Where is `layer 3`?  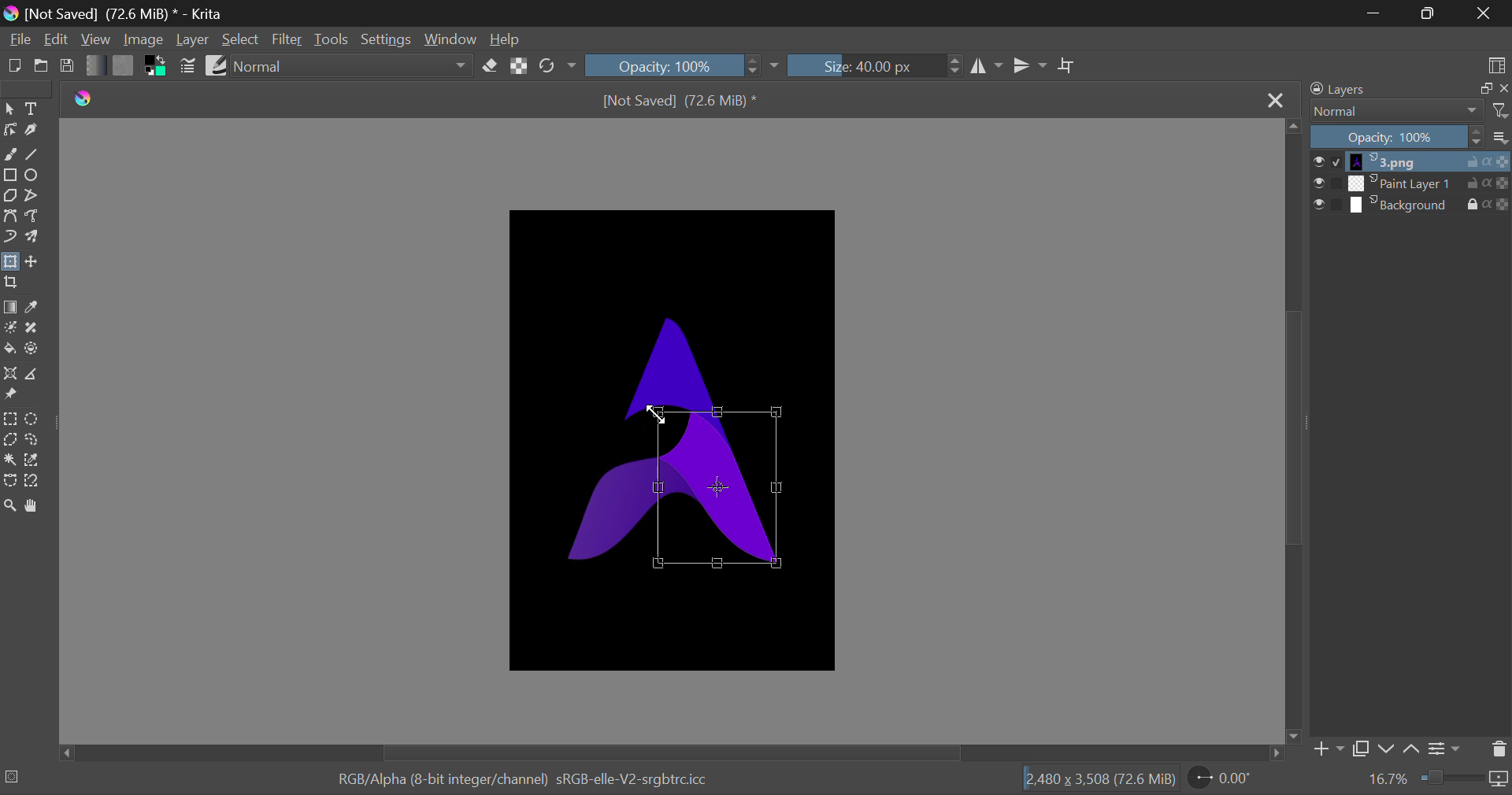 layer 3 is located at coordinates (1401, 203).